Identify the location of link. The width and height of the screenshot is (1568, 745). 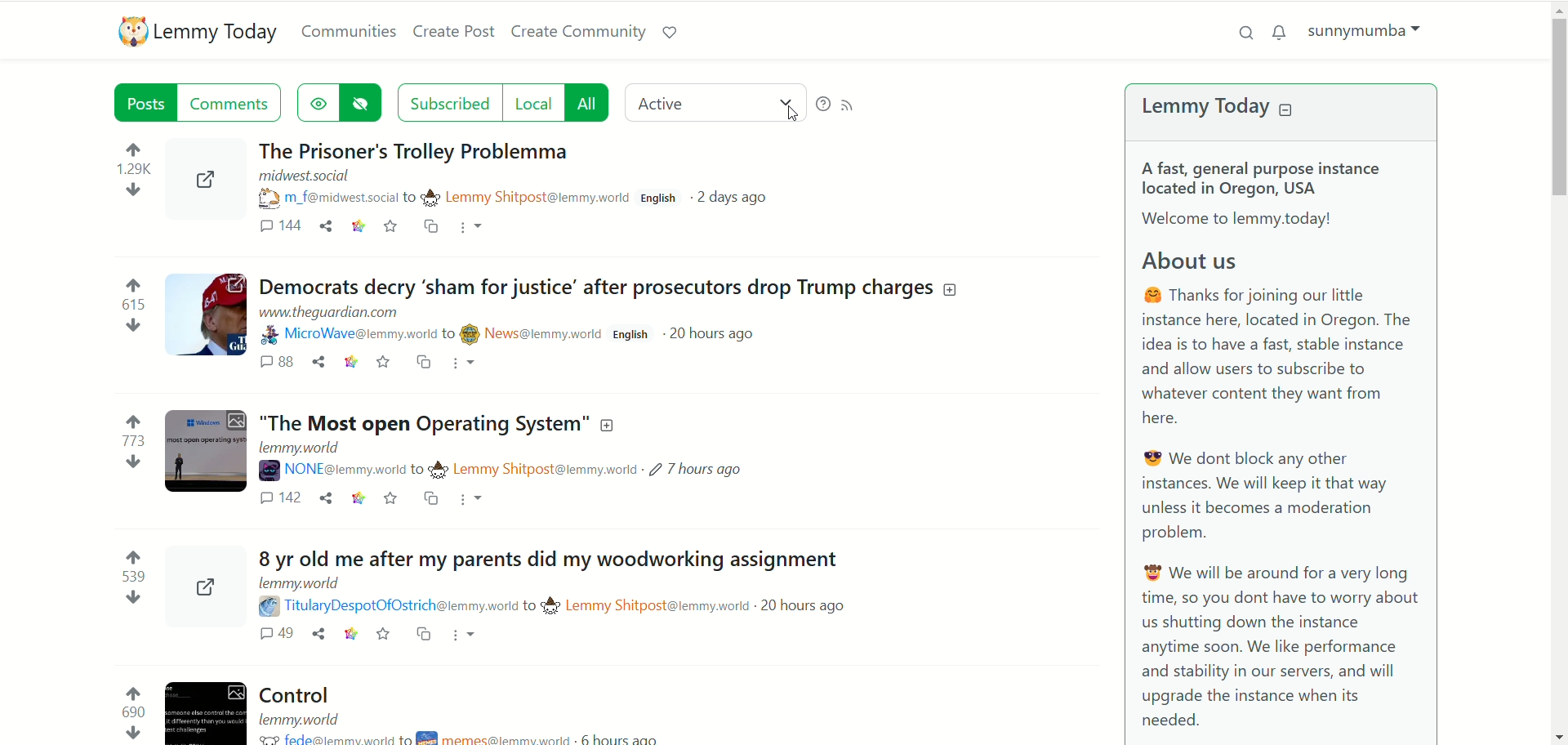
(348, 636).